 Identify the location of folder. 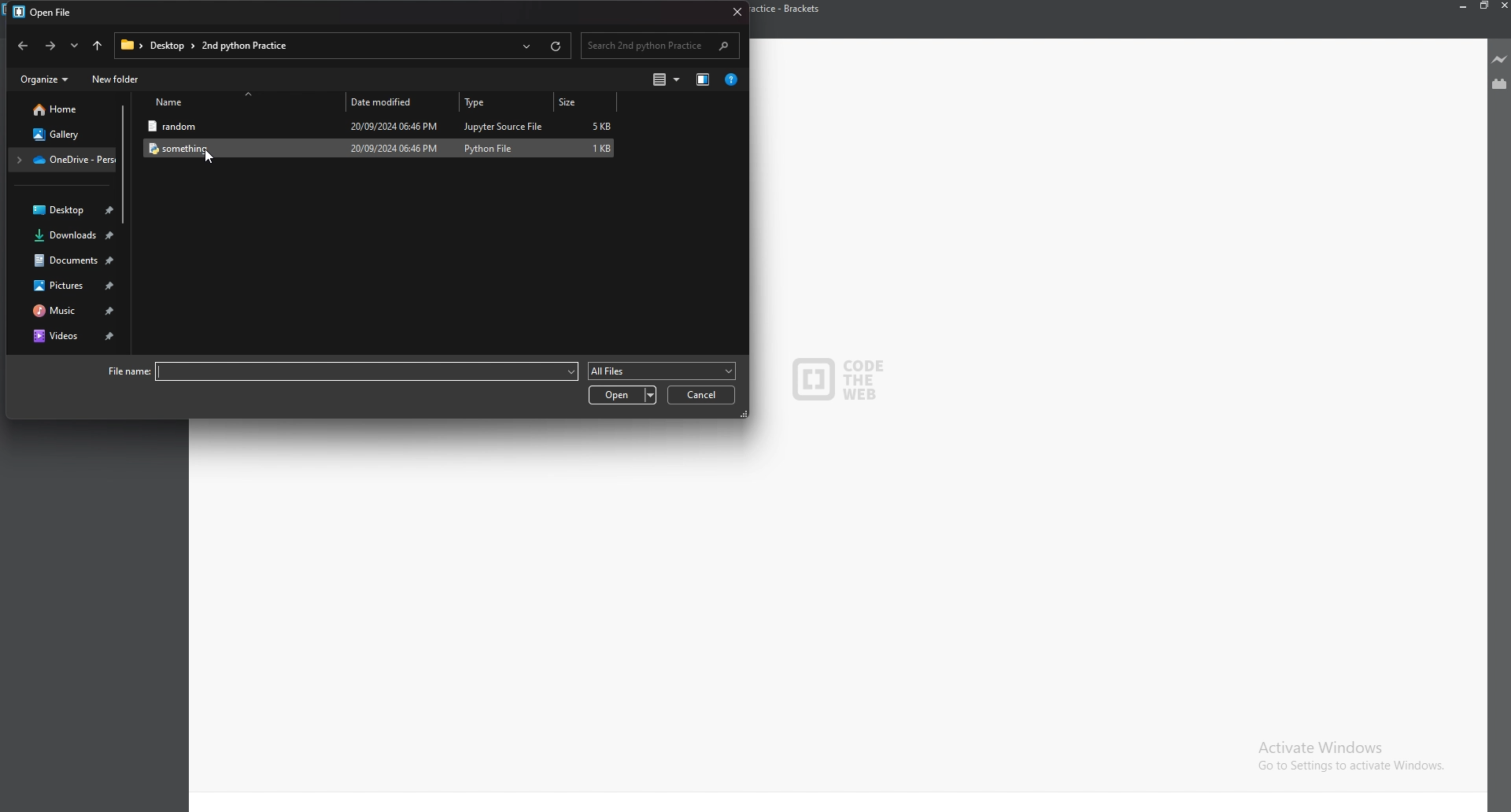
(128, 46).